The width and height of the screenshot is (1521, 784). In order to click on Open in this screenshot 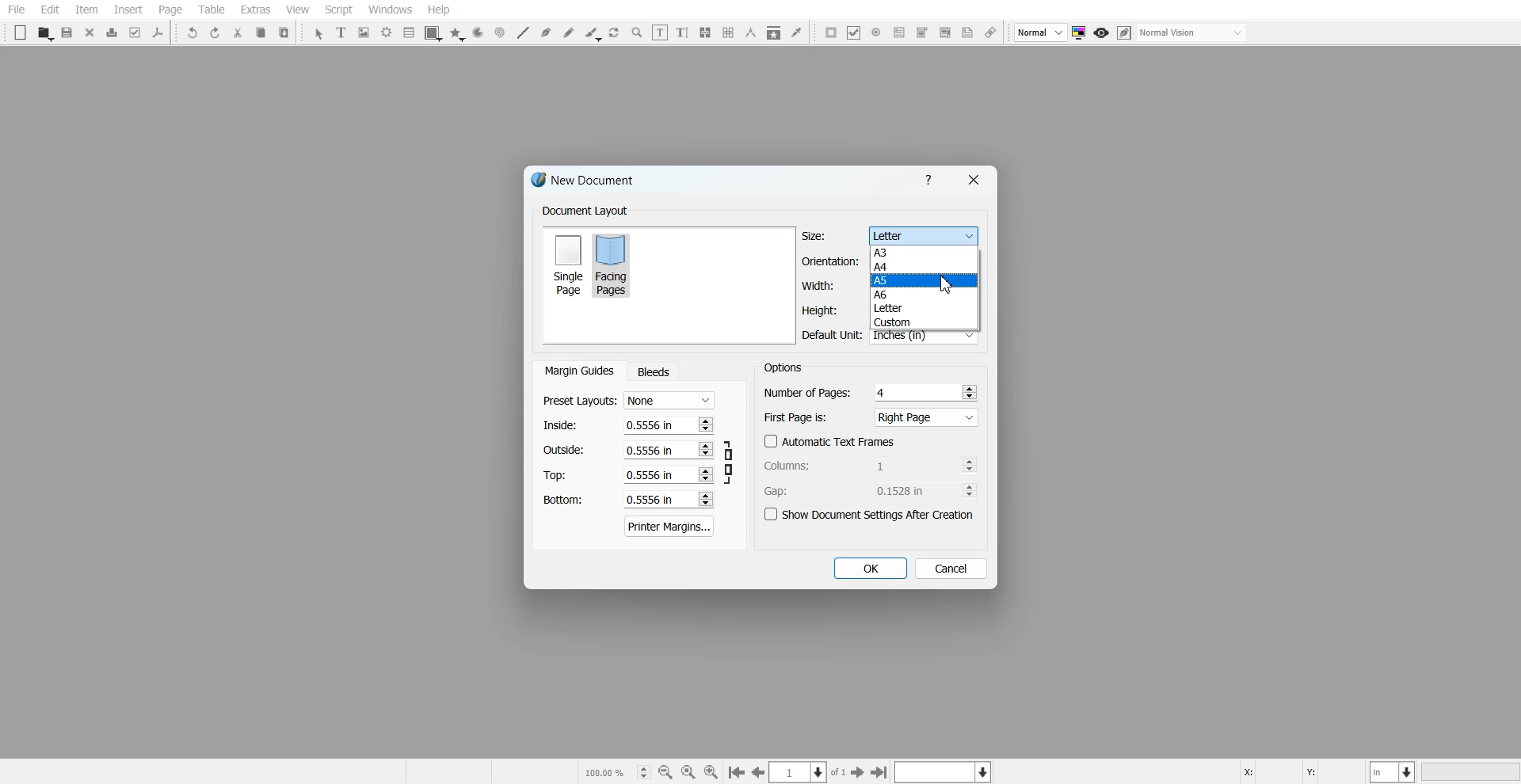, I will do `click(44, 33)`.